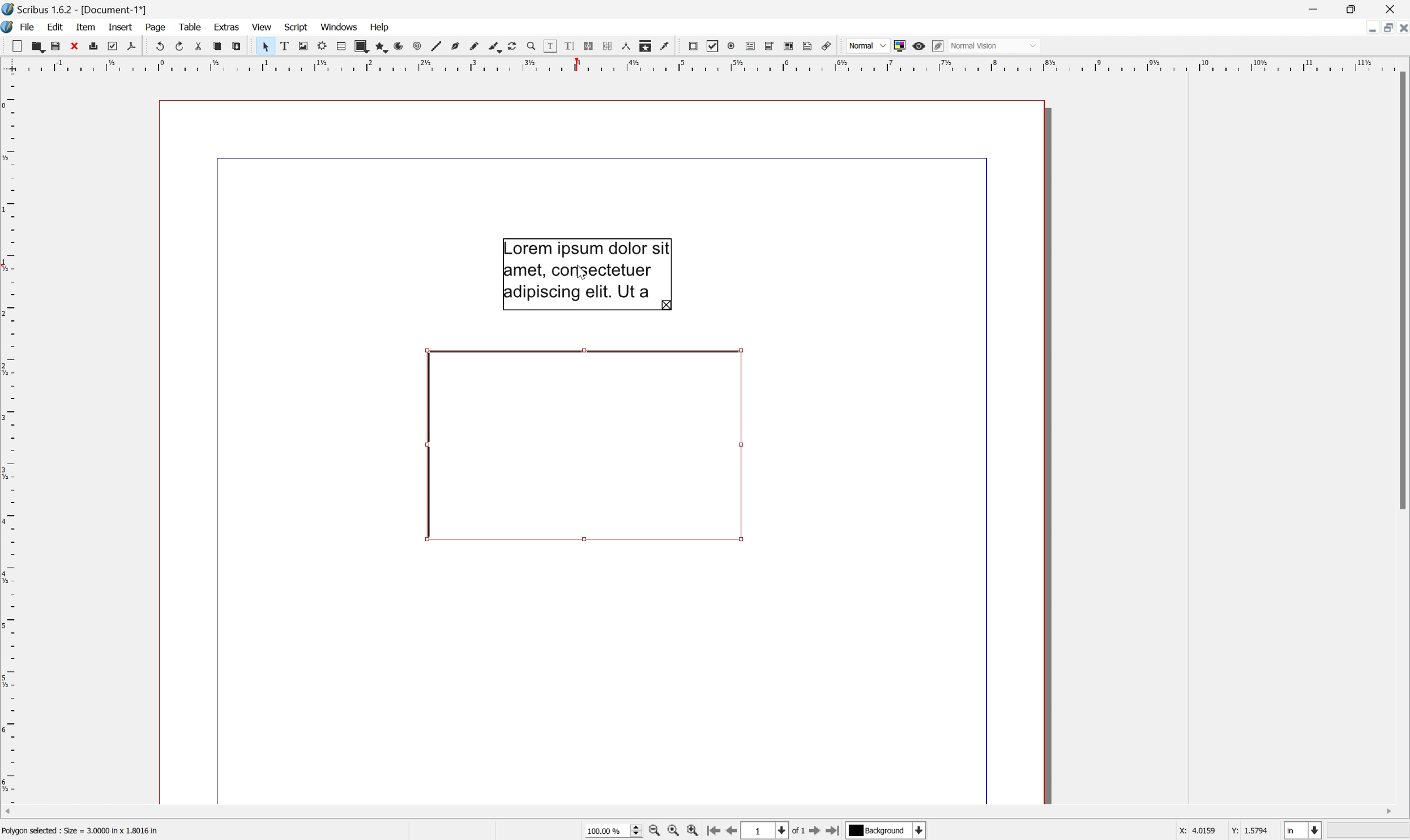 This screenshot has height=840, width=1410. Describe the element at coordinates (33, 47) in the screenshot. I see `Open` at that location.